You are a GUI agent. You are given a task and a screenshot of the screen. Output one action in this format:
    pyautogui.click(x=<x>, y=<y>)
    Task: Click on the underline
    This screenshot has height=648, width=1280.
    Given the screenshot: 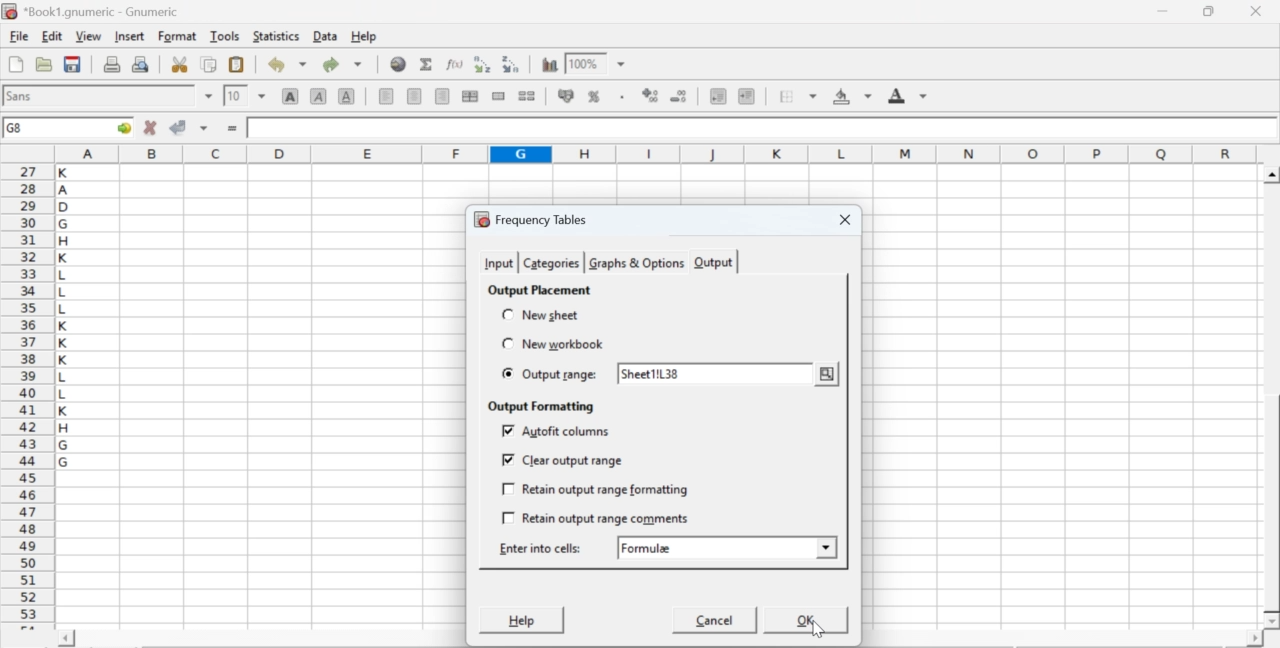 What is the action you would take?
    pyautogui.click(x=347, y=95)
    